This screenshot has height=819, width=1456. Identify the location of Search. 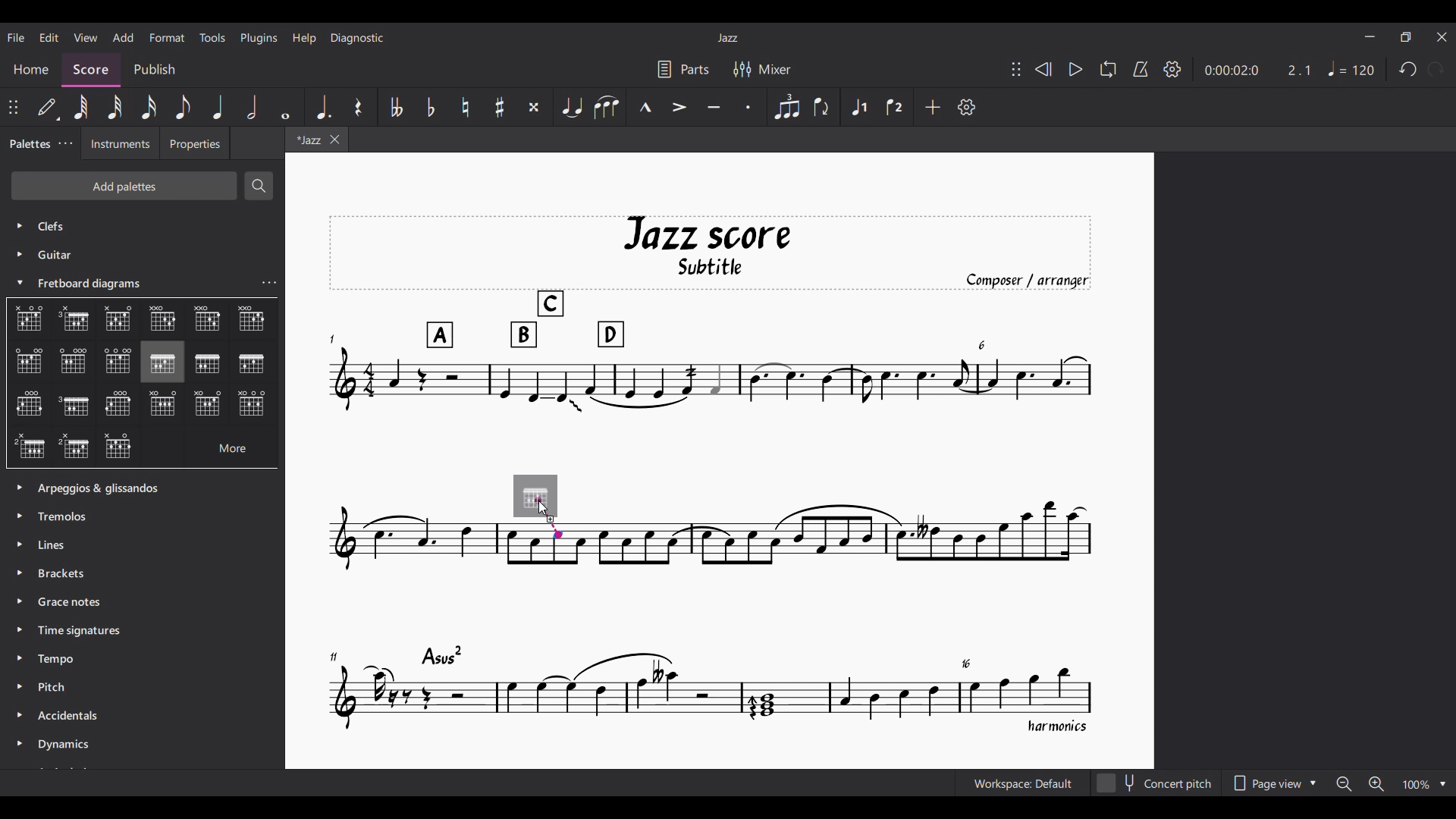
(259, 186).